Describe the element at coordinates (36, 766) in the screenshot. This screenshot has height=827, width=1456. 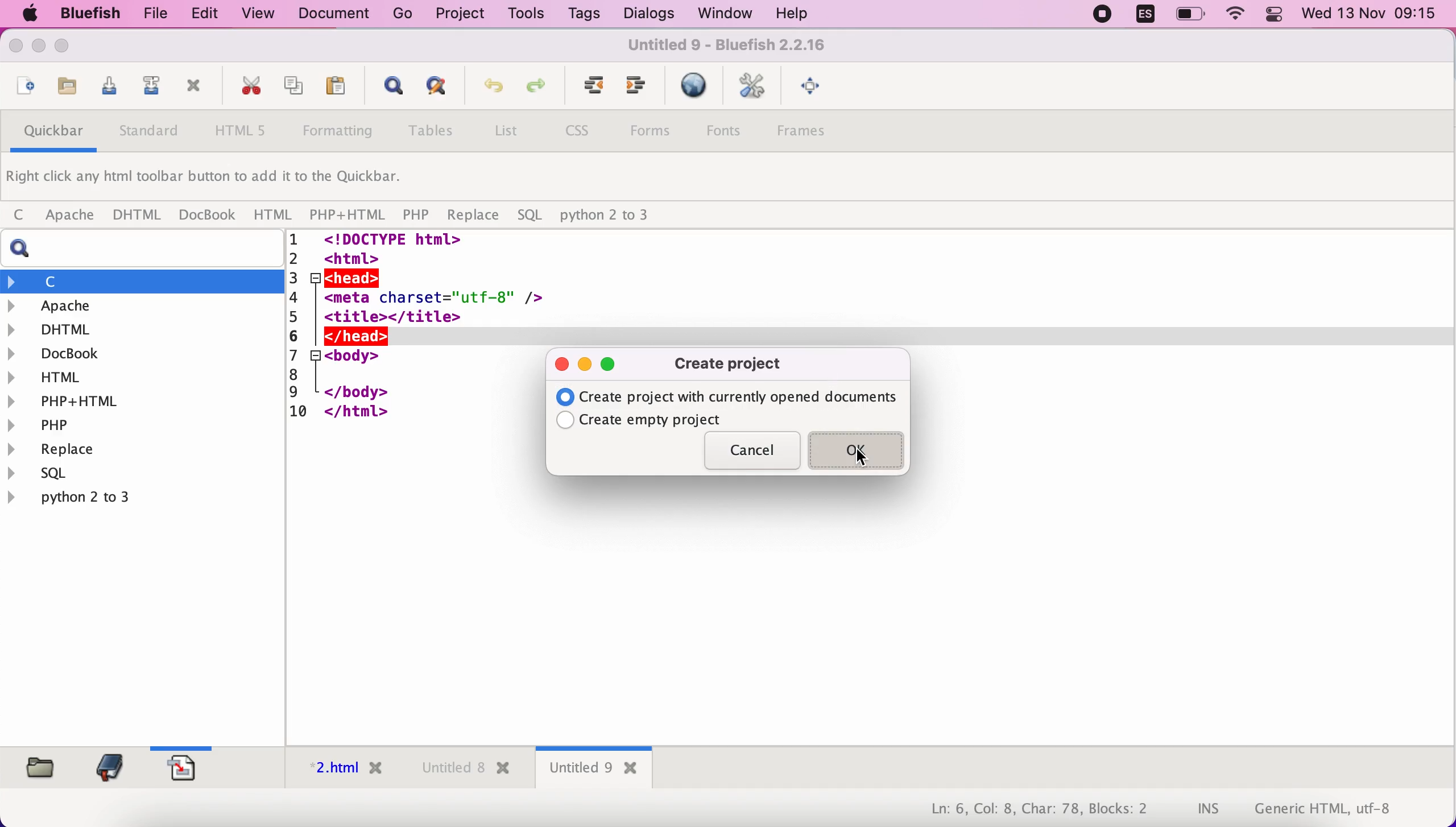
I see `filebrowser` at that location.